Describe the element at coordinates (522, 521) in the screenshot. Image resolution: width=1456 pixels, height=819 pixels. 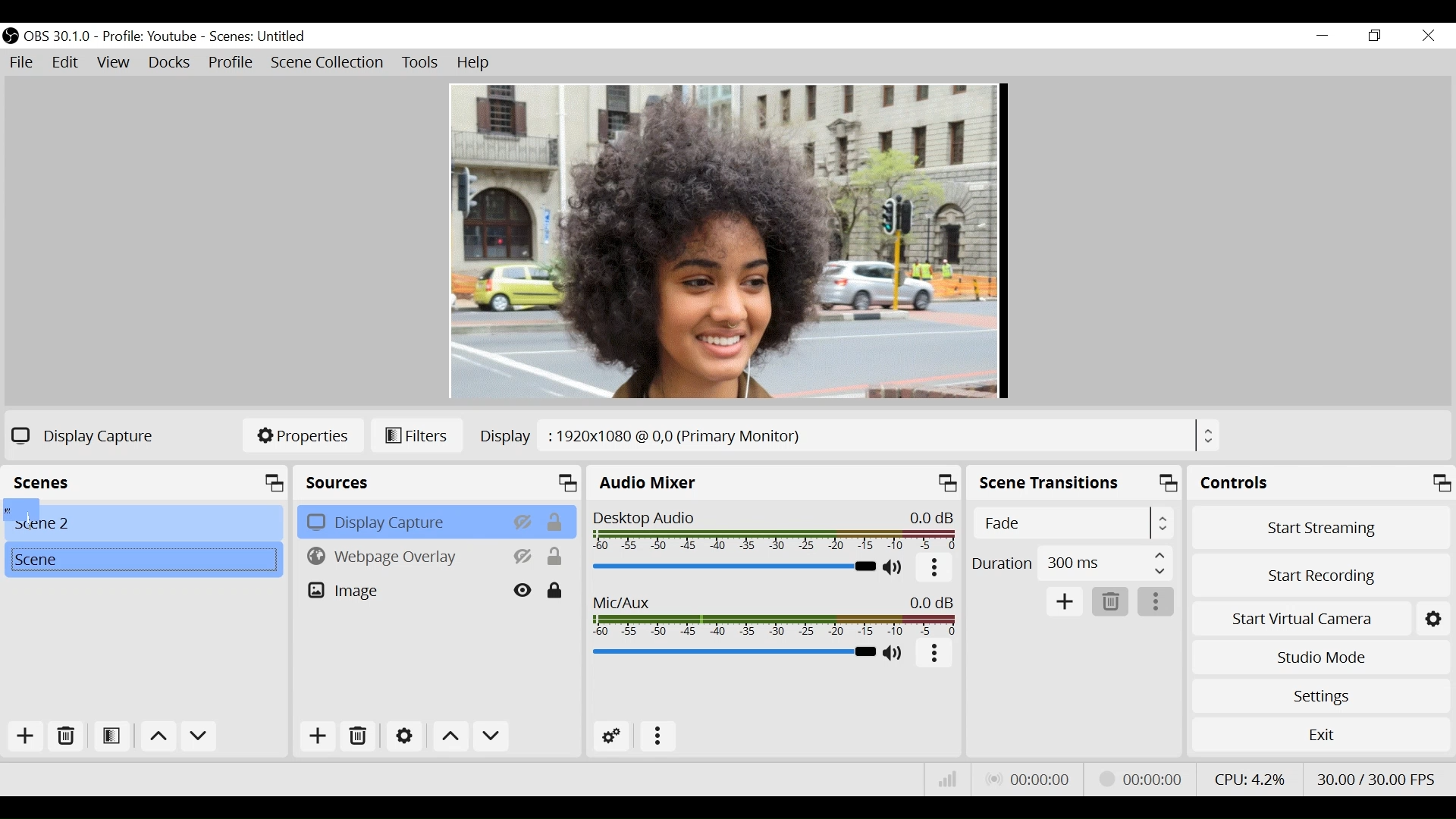
I see `Hide/Display` at that location.